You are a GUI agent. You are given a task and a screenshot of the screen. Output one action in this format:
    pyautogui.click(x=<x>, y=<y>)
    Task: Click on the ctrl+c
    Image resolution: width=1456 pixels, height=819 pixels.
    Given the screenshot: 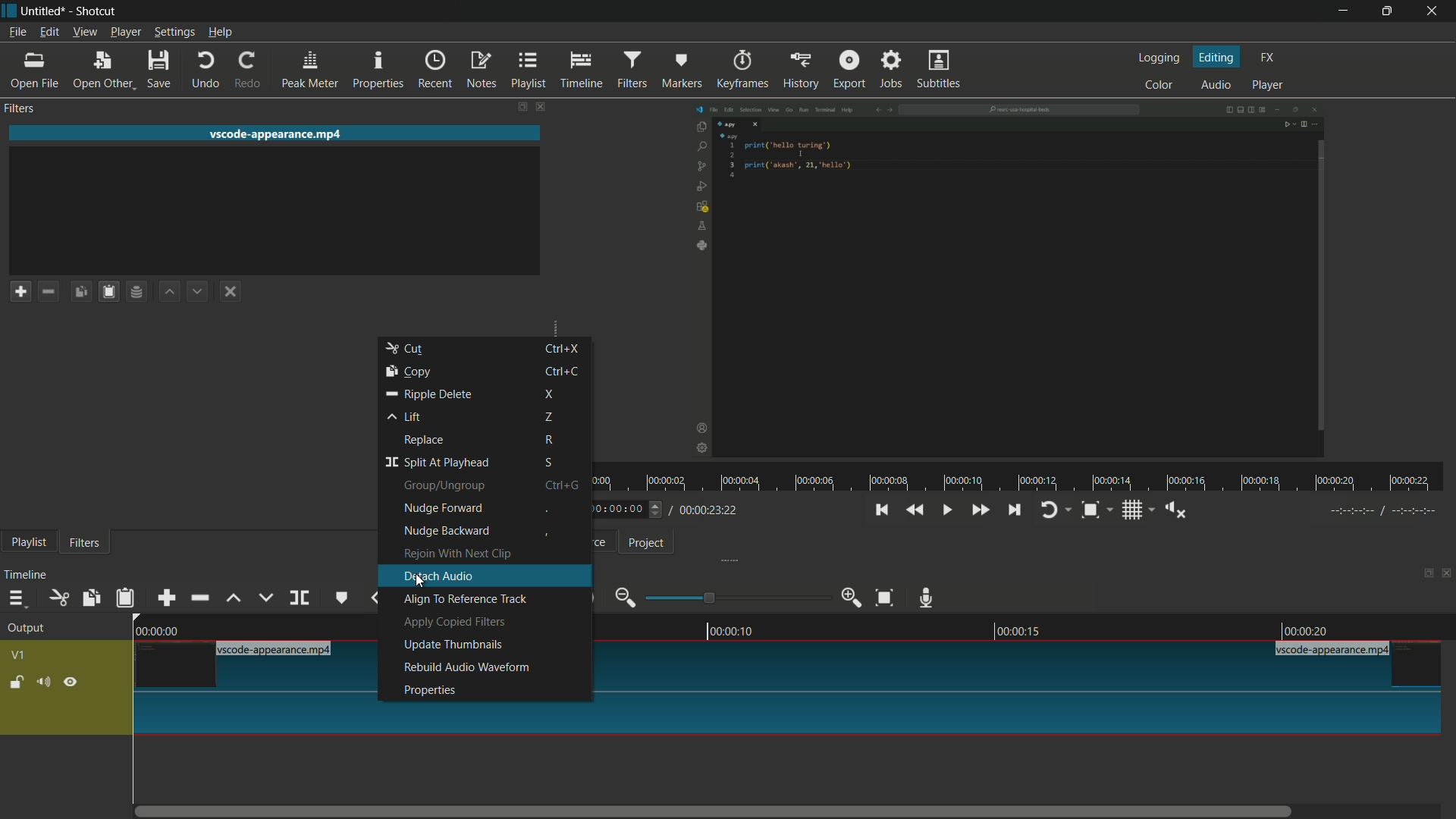 What is the action you would take?
    pyautogui.click(x=561, y=370)
    